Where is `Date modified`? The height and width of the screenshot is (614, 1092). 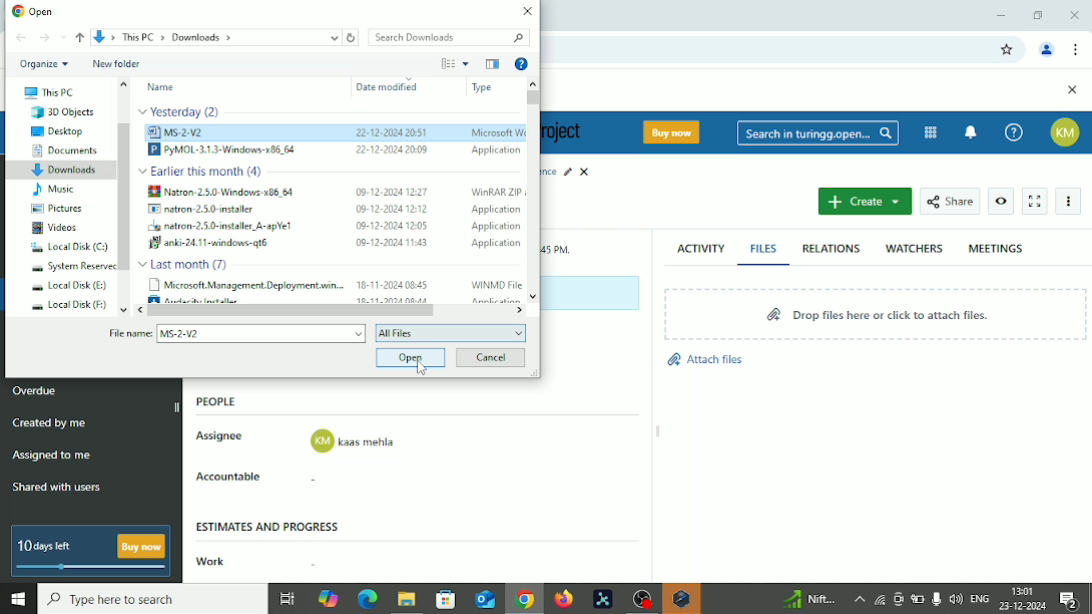
Date modified is located at coordinates (384, 86).